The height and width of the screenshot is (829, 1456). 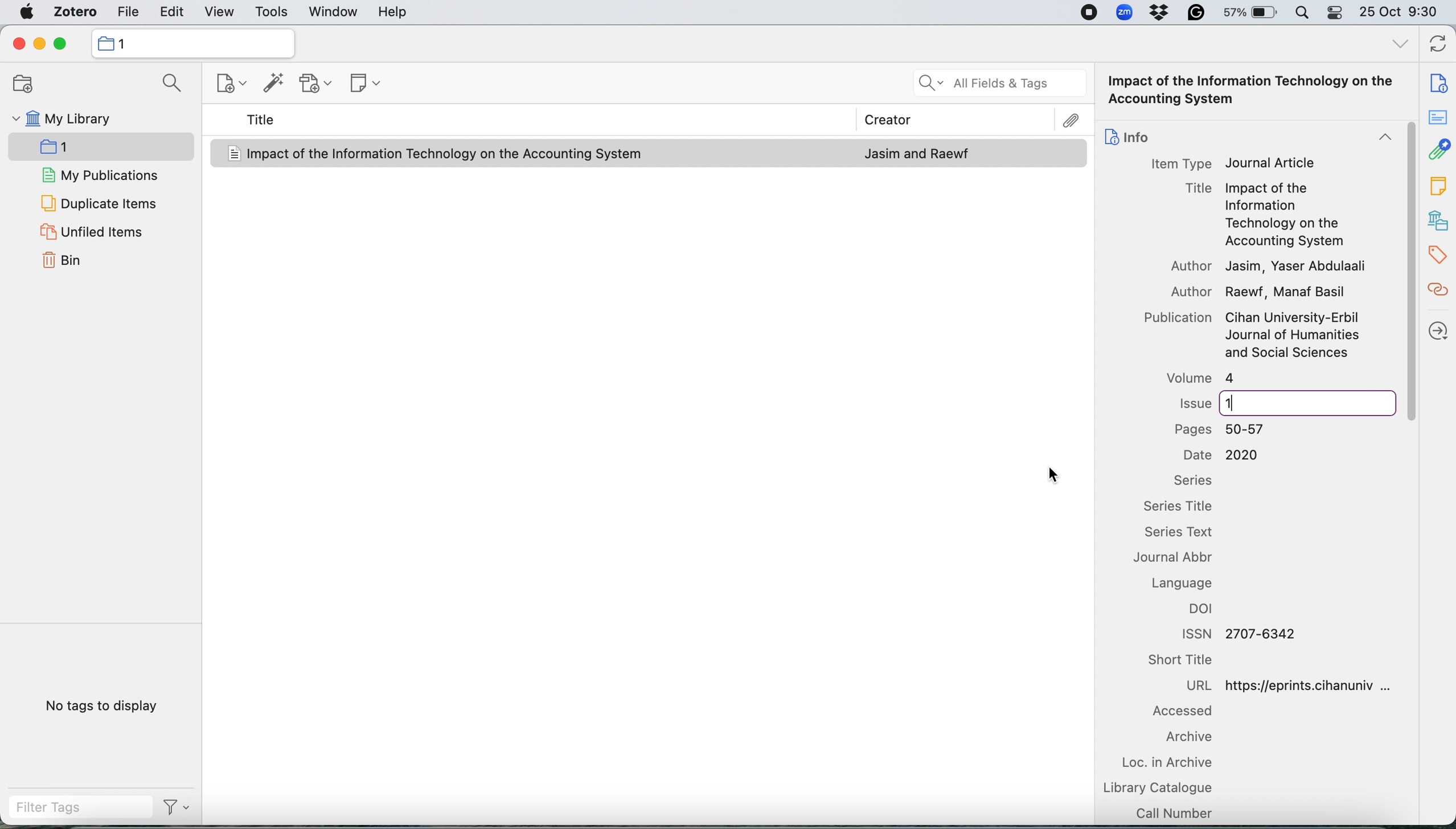 I want to click on pages 50-57, so click(x=1226, y=429).